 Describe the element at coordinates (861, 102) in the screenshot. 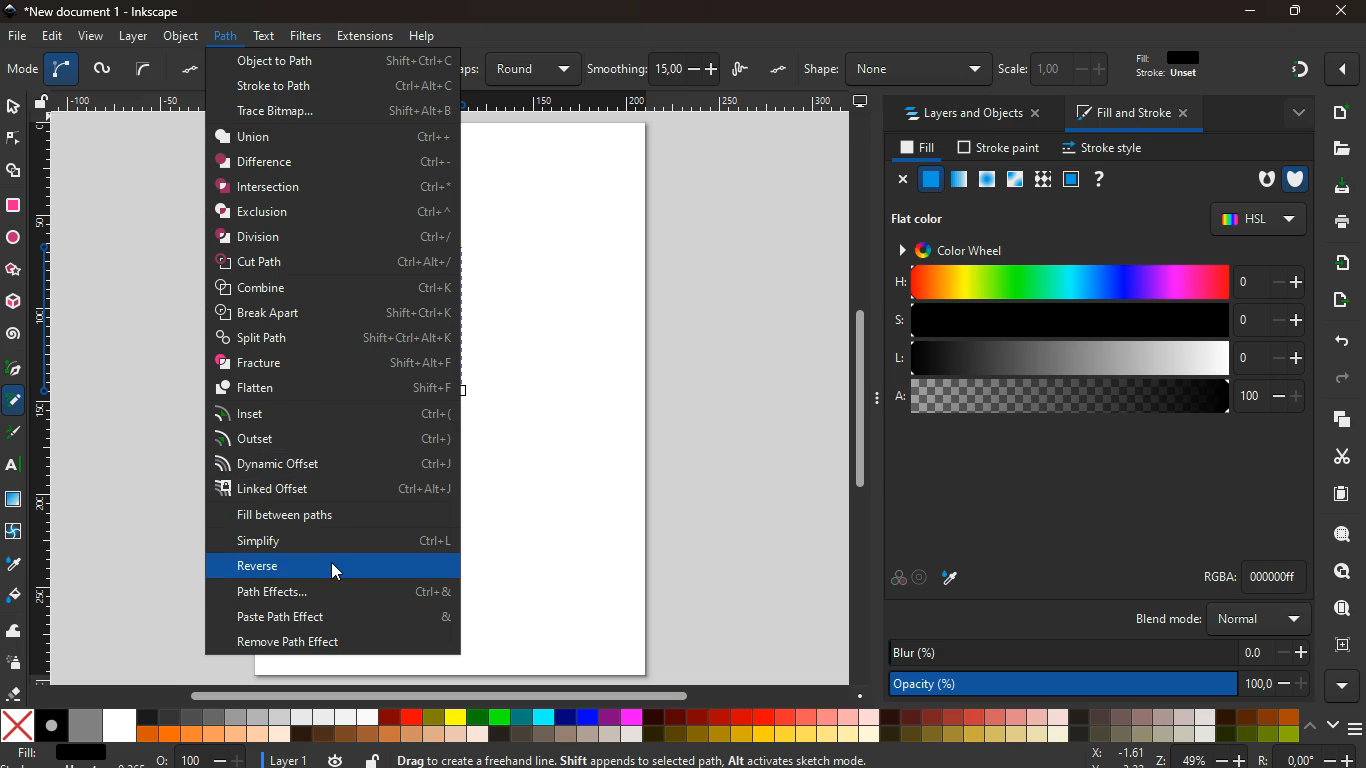

I see `desktop` at that location.